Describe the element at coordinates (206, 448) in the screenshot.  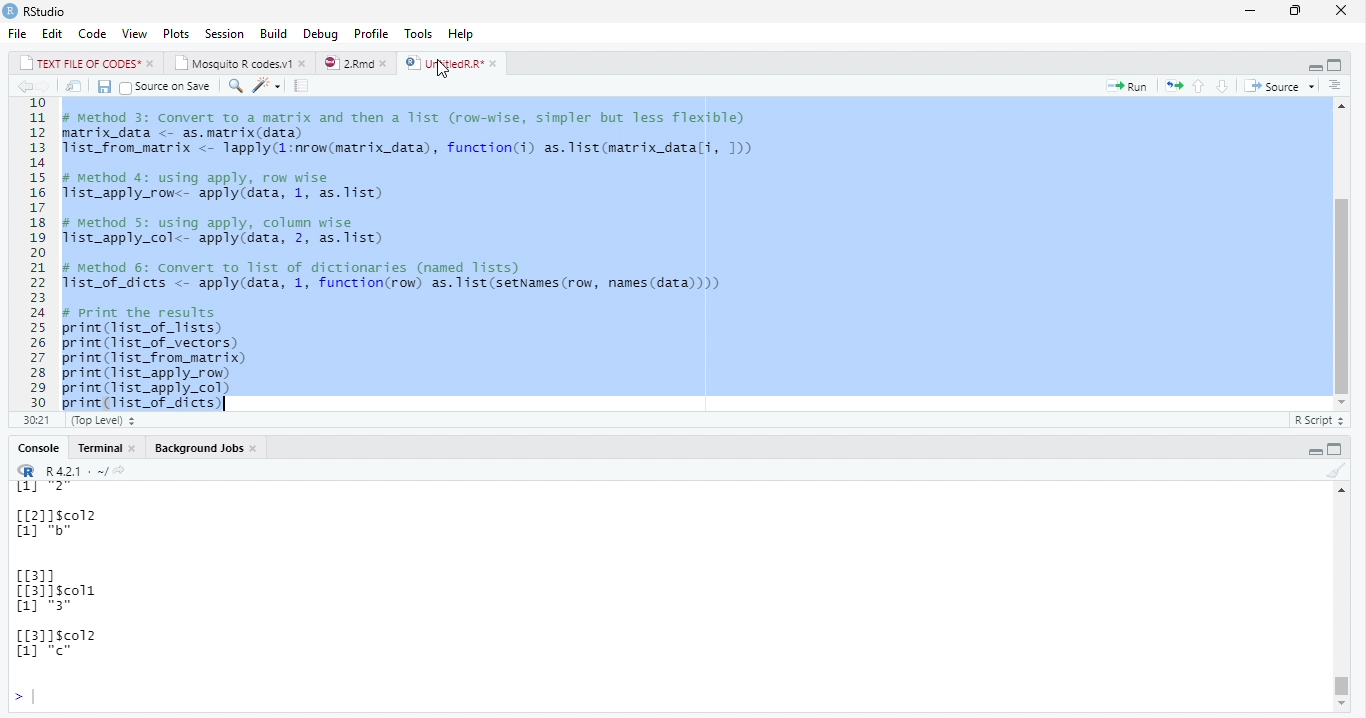
I see `Background Jobs` at that location.